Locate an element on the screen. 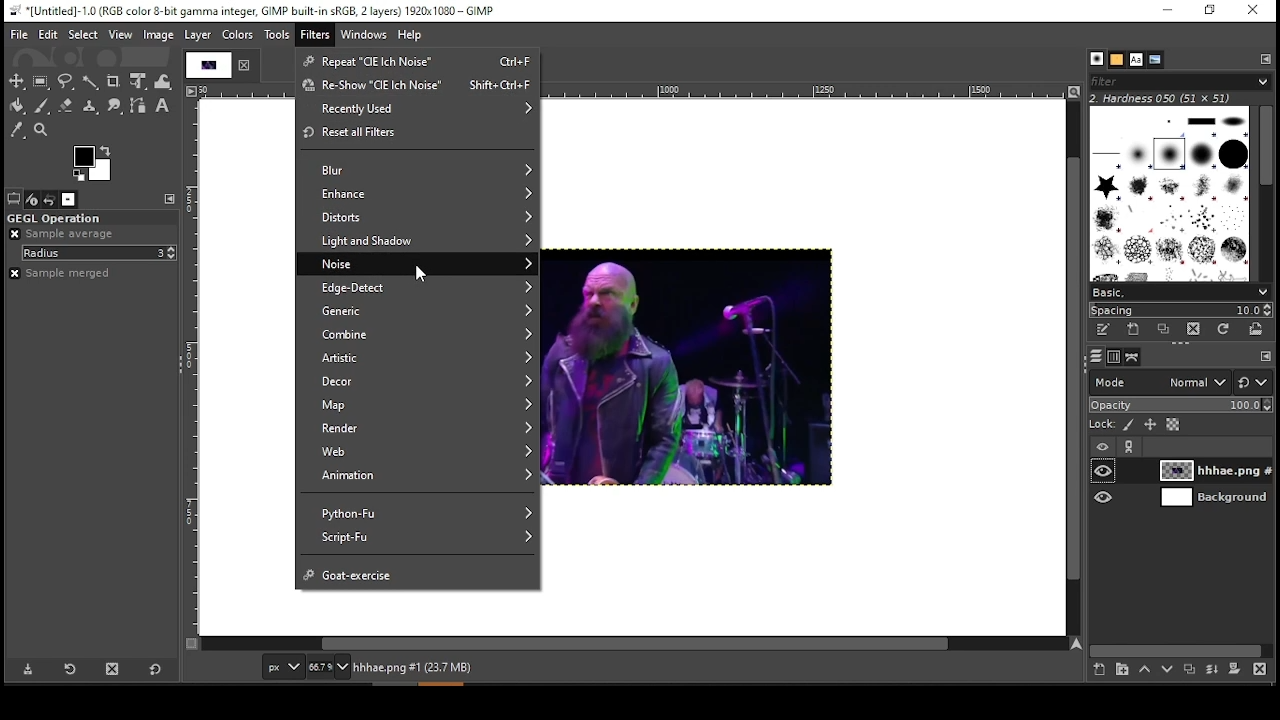 This screenshot has width=1280, height=720. eraser tool is located at coordinates (64, 105).